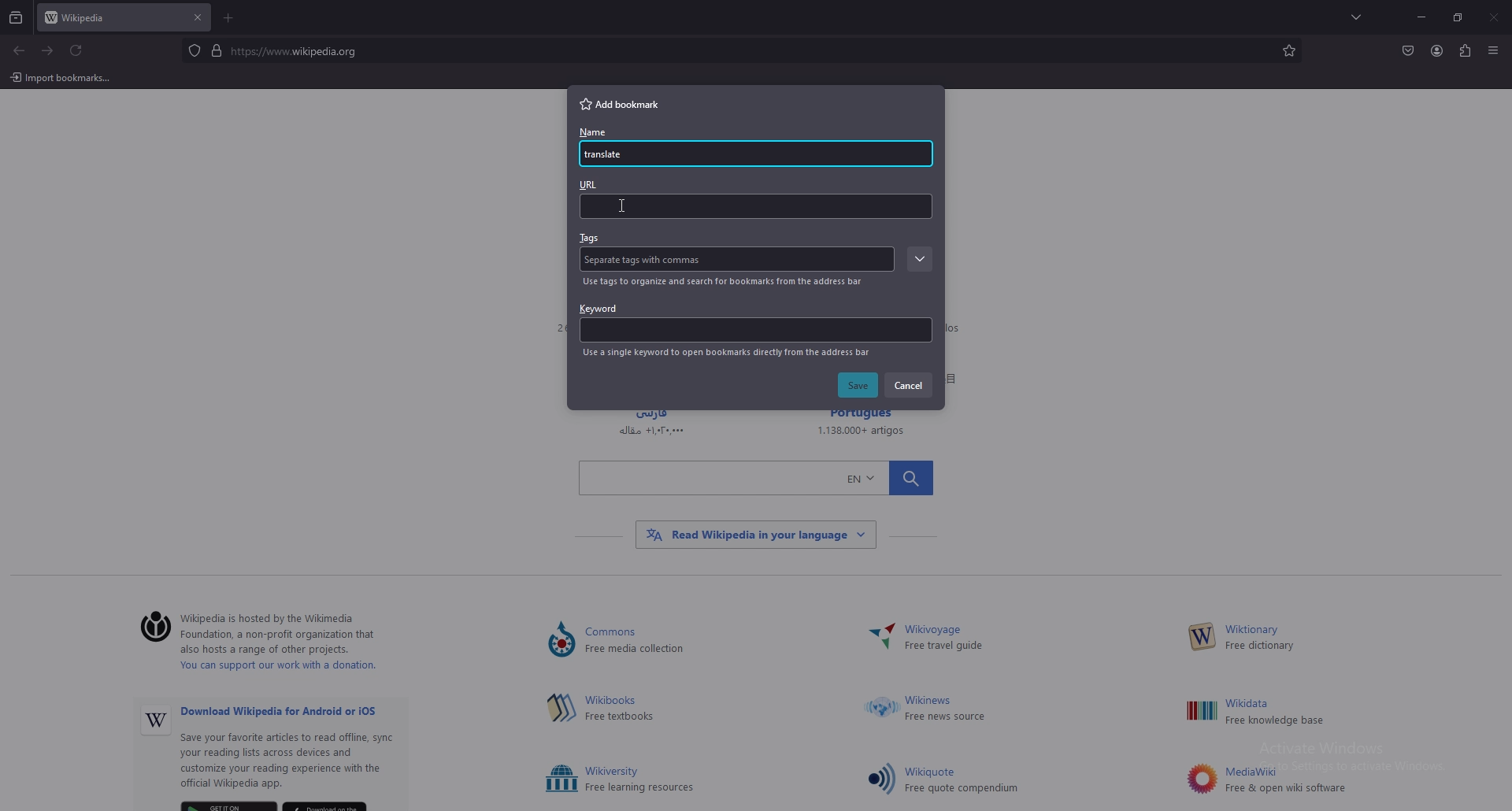  I want to click on ‘Wikipedia is hosted by the Wikimedia

) Foundation, a non-profit organization that
also hosts a range of other projects.
You can support our work with a donation., so click(291, 644).